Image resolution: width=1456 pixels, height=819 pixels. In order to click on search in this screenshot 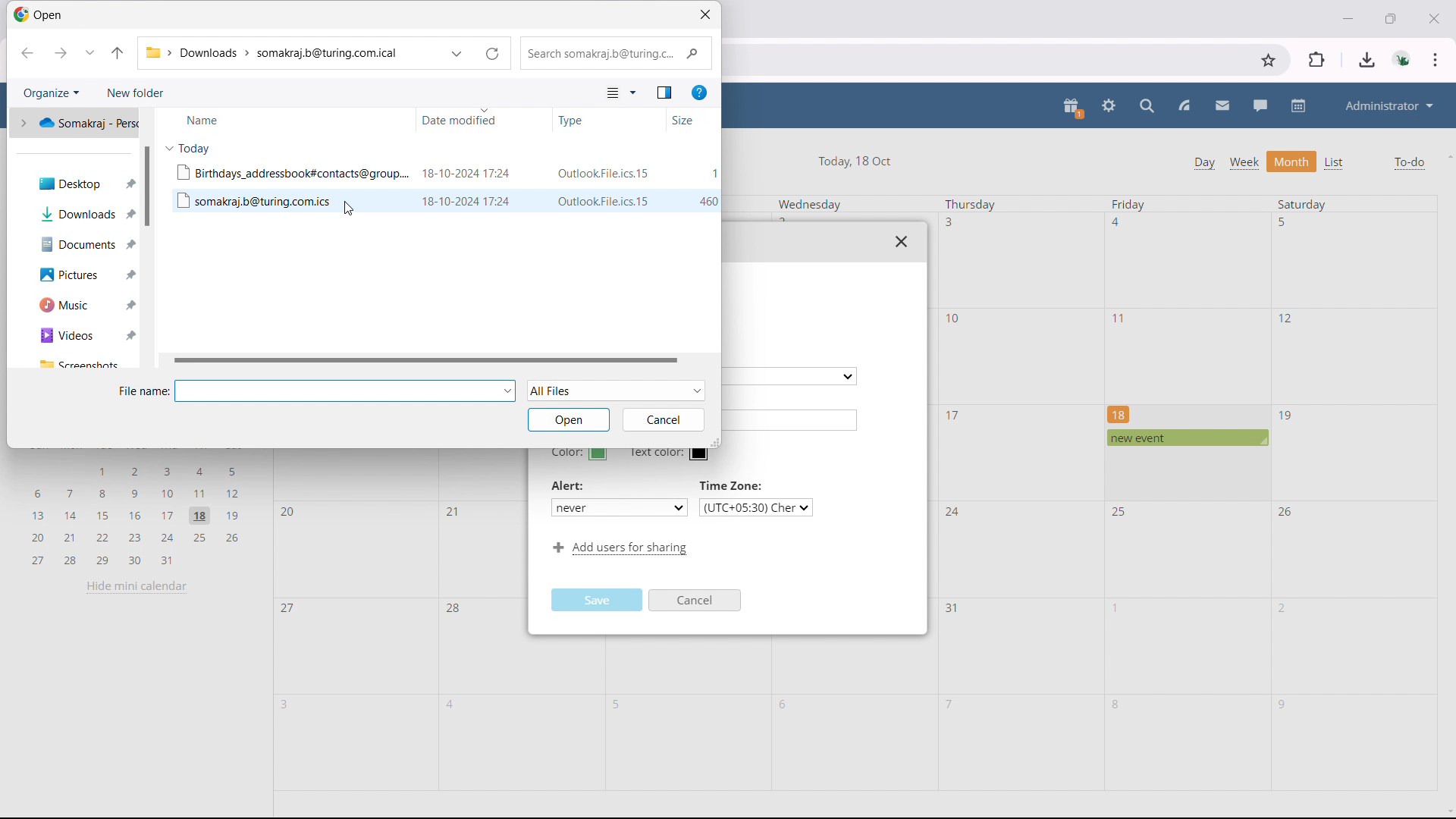, I will do `click(1148, 106)`.